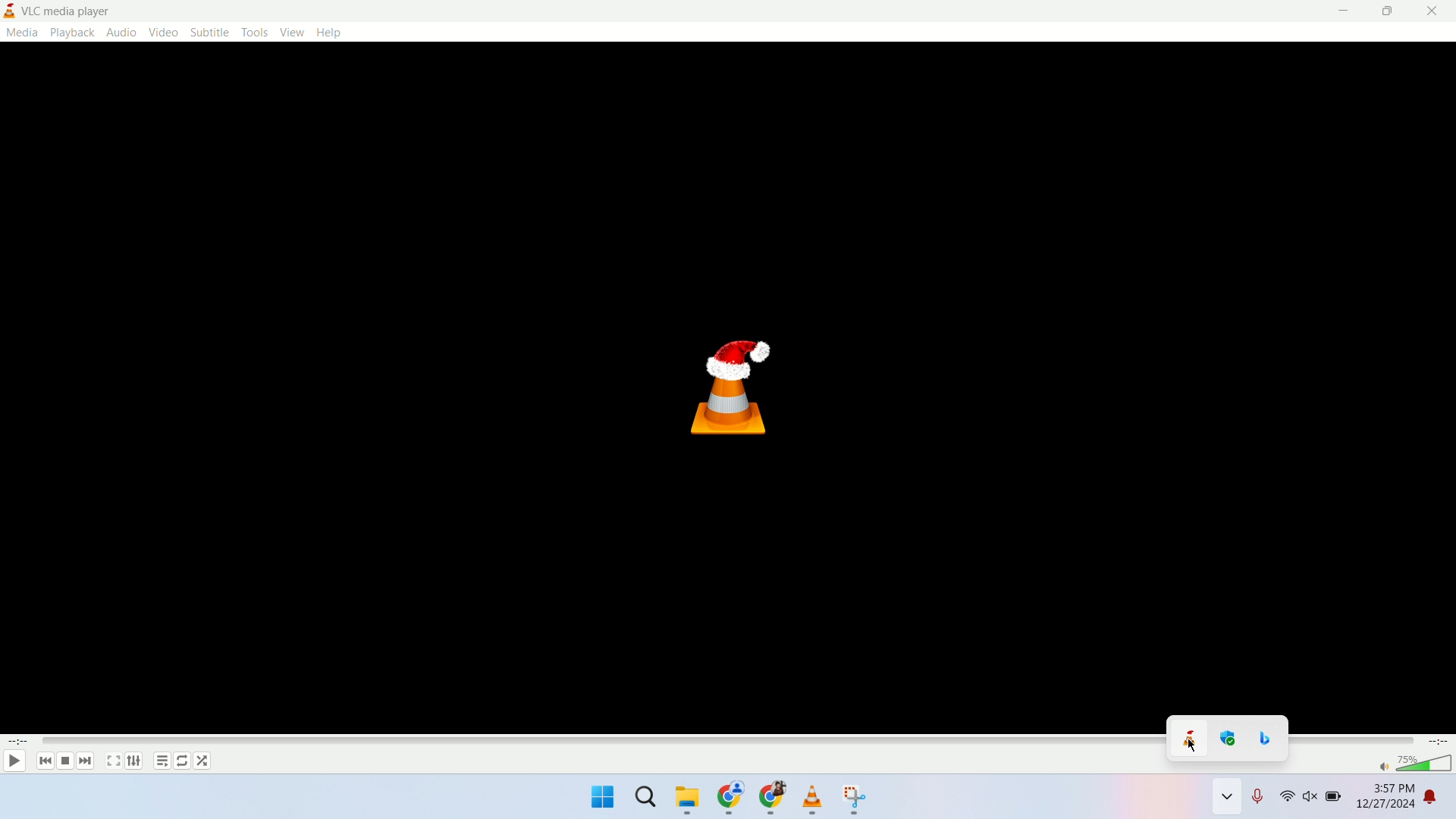  What do you see at coordinates (21, 32) in the screenshot?
I see `media` at bounding box center [21, 32].